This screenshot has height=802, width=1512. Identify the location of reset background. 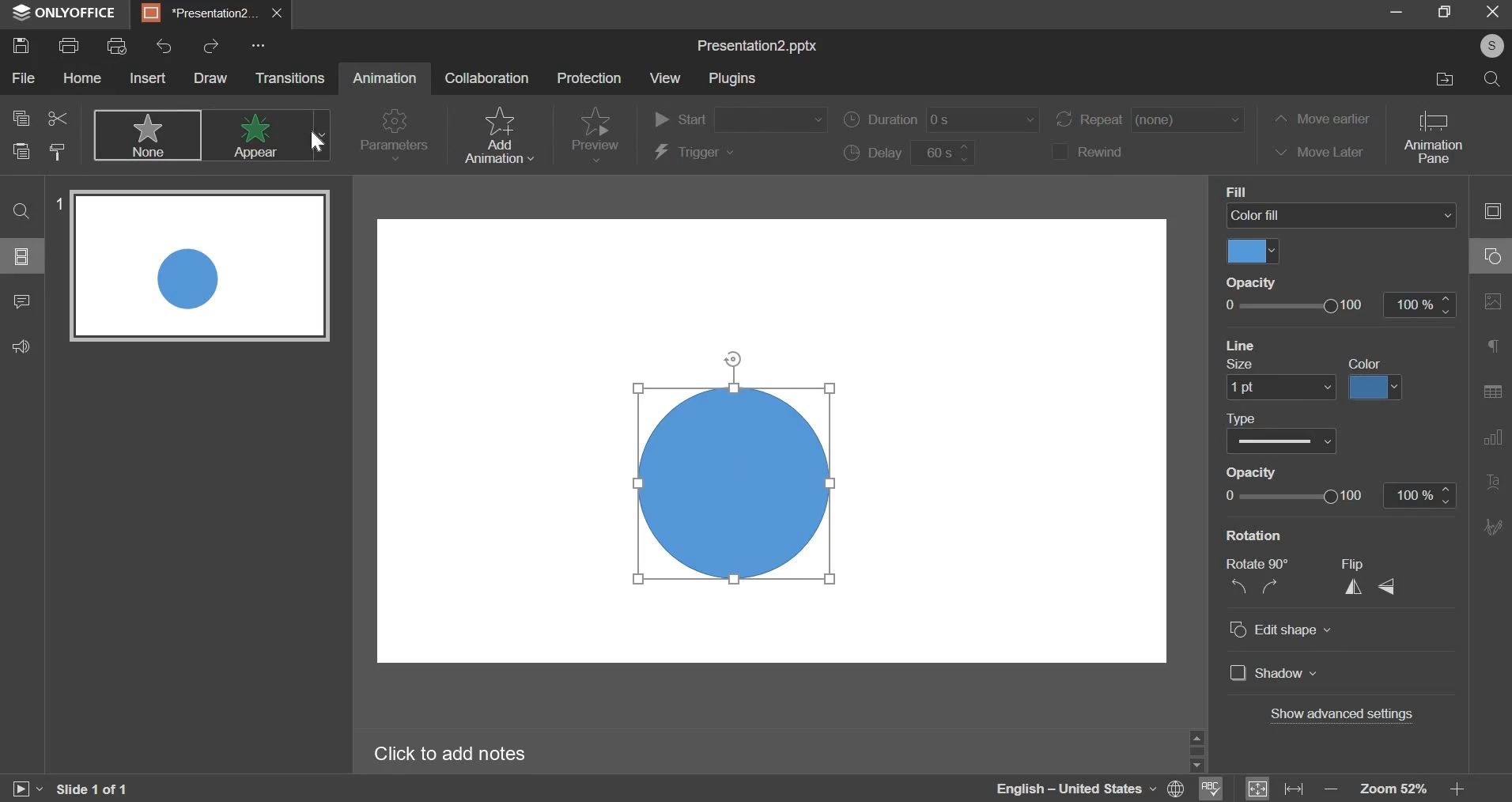
(1300, 345).